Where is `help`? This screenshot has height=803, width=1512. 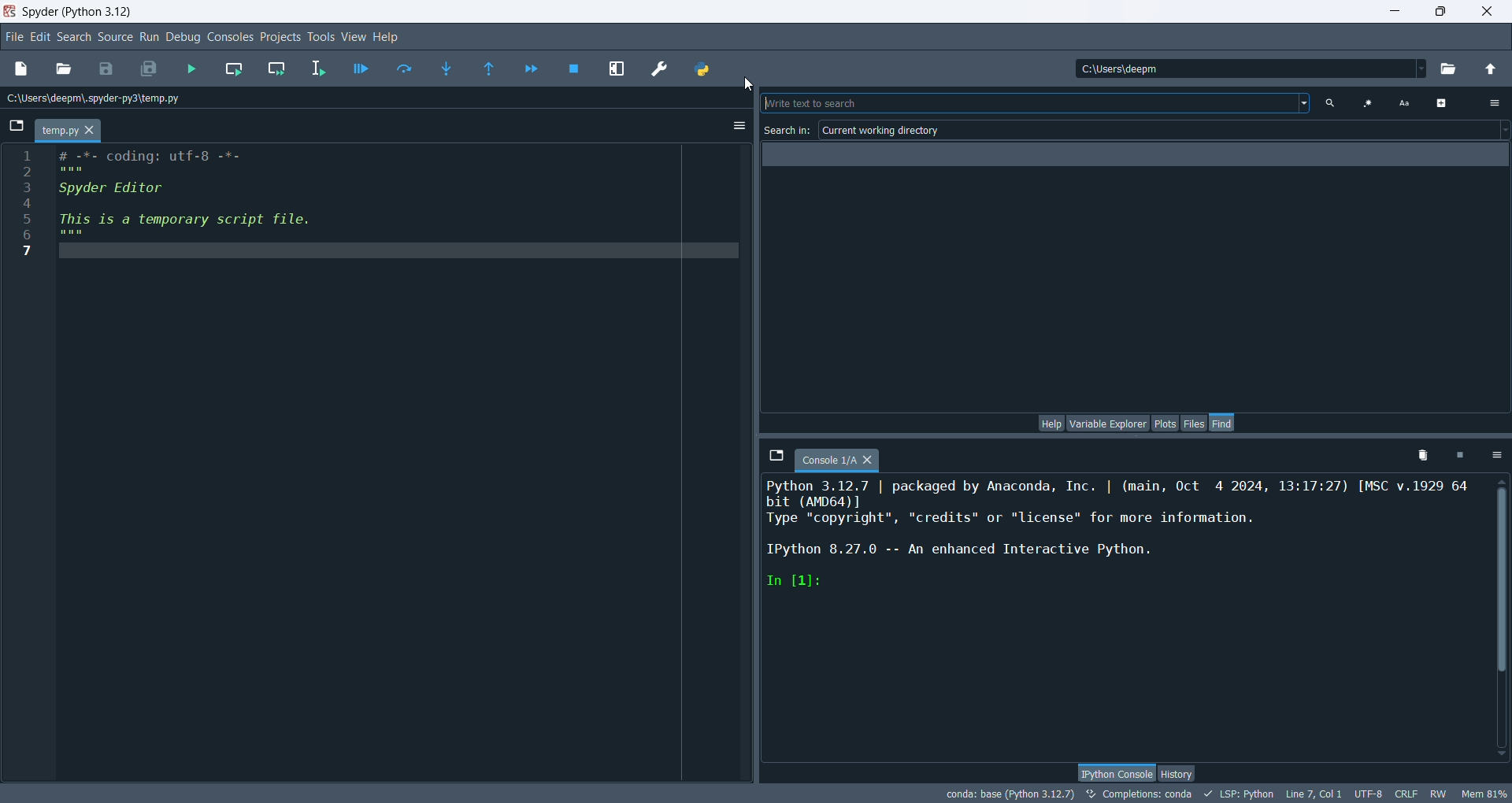
help is located at coordinates (388, 37).